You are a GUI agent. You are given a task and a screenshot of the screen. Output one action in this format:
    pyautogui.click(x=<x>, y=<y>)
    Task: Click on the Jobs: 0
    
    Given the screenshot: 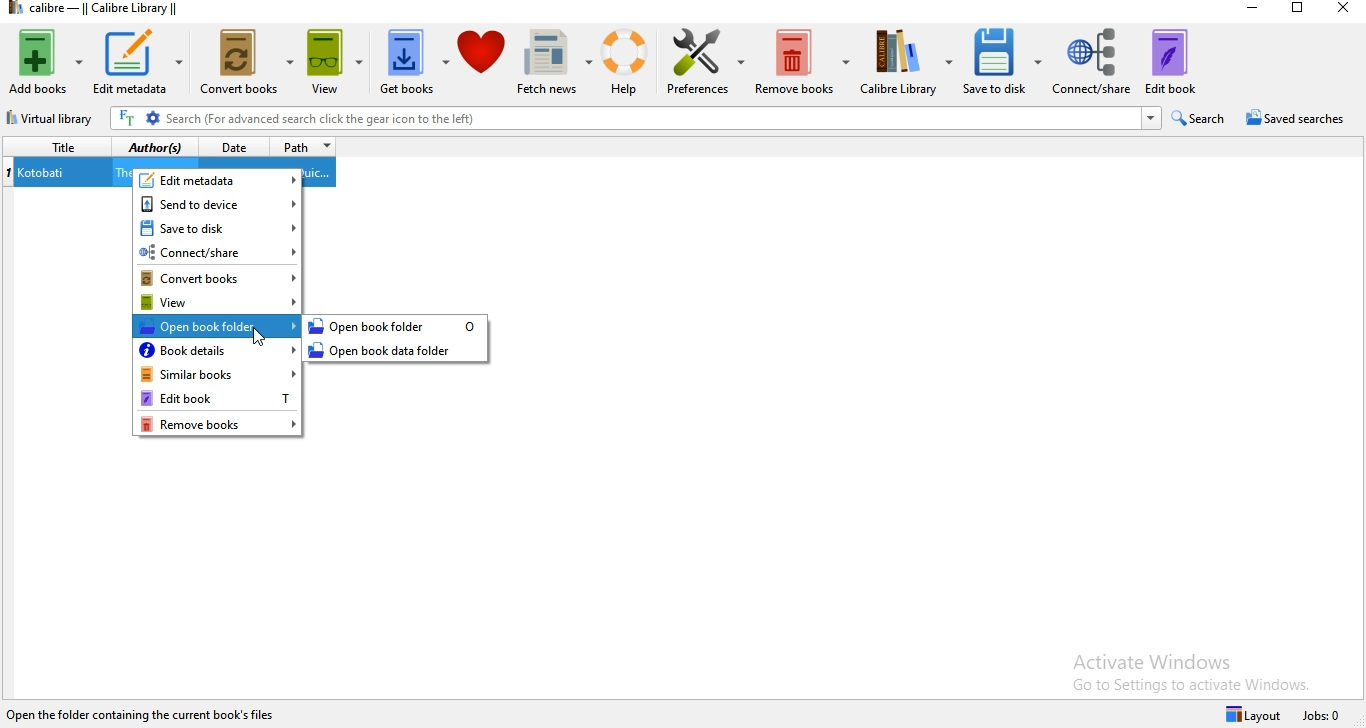 What is the action you would take?
    pyautogui.click(x=1324, y=714)
    